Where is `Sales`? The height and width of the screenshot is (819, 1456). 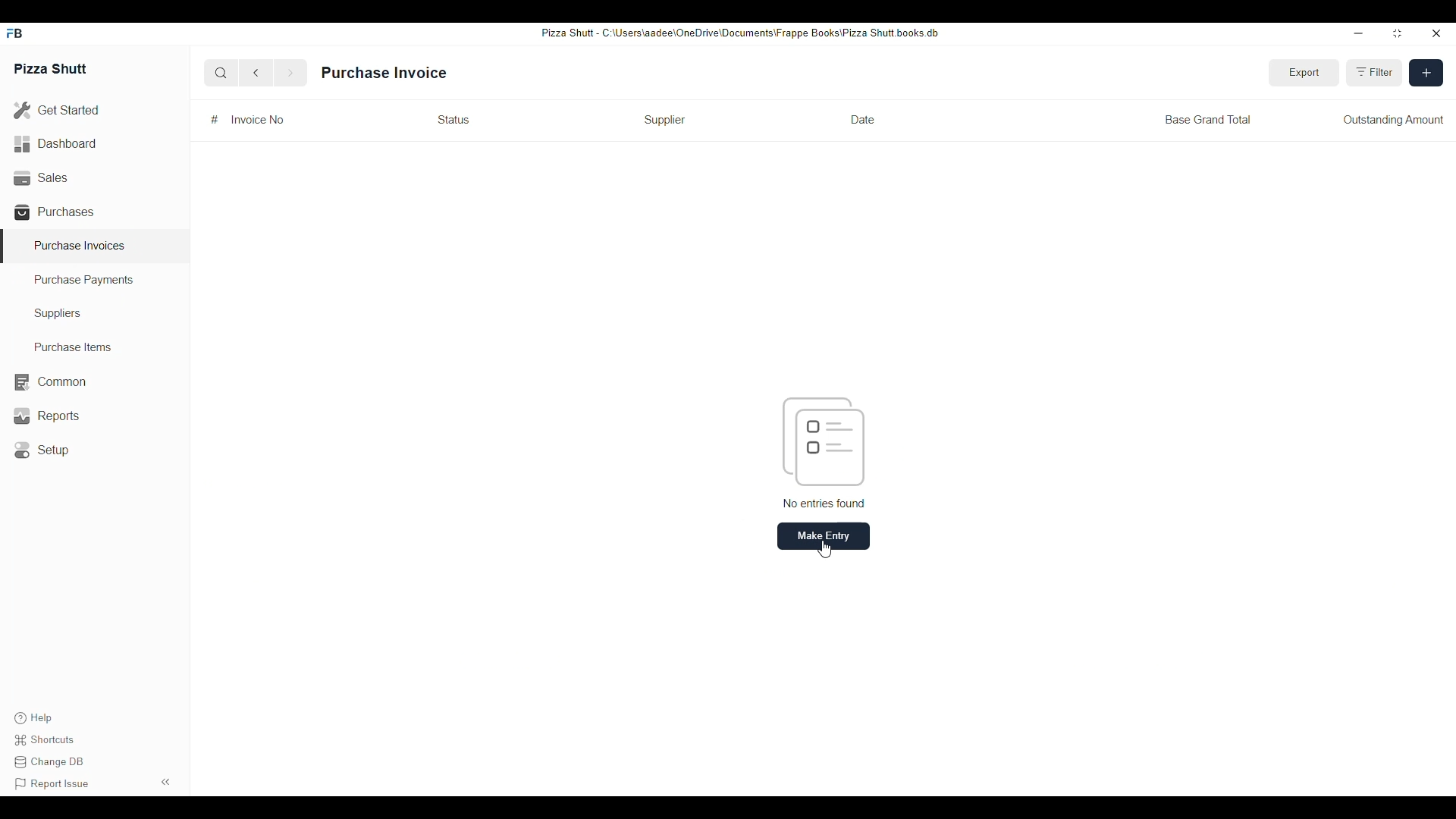
Sales is located at coordinates (39, 176).